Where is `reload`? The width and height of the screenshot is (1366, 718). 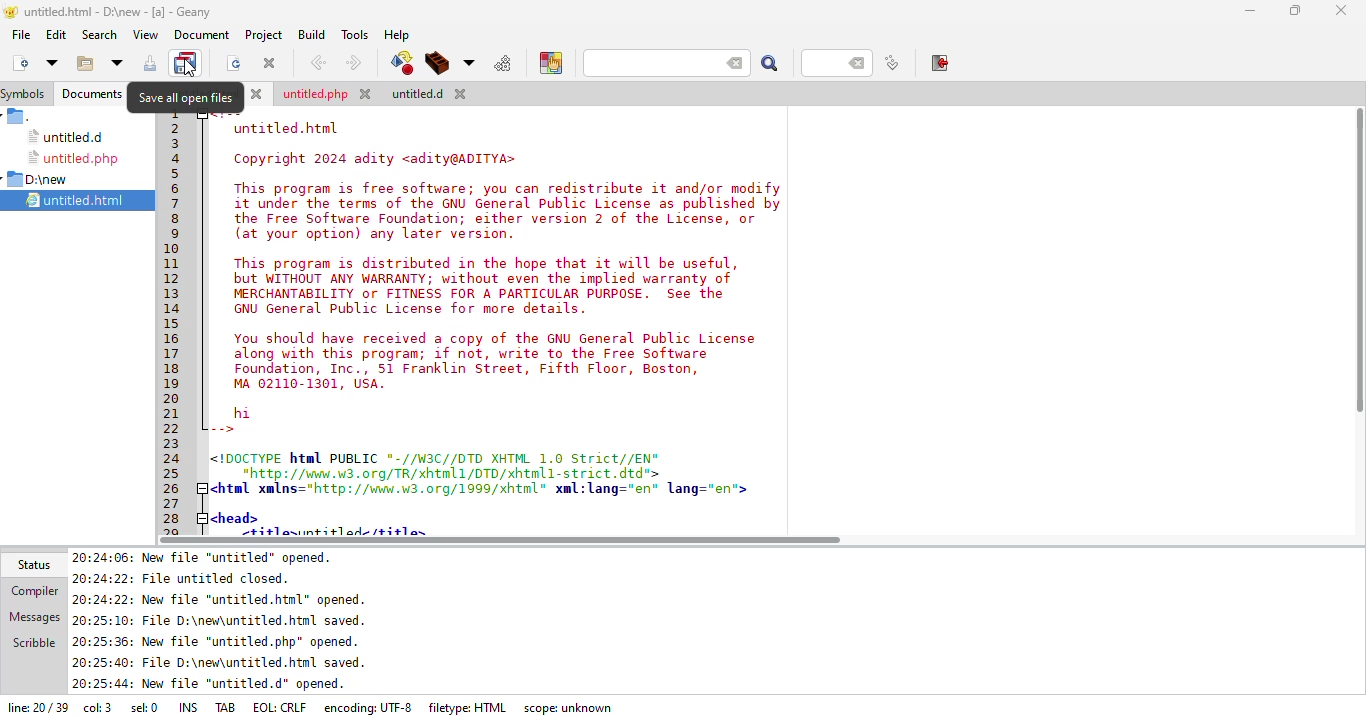 reload is located at coordinates (233, 64).